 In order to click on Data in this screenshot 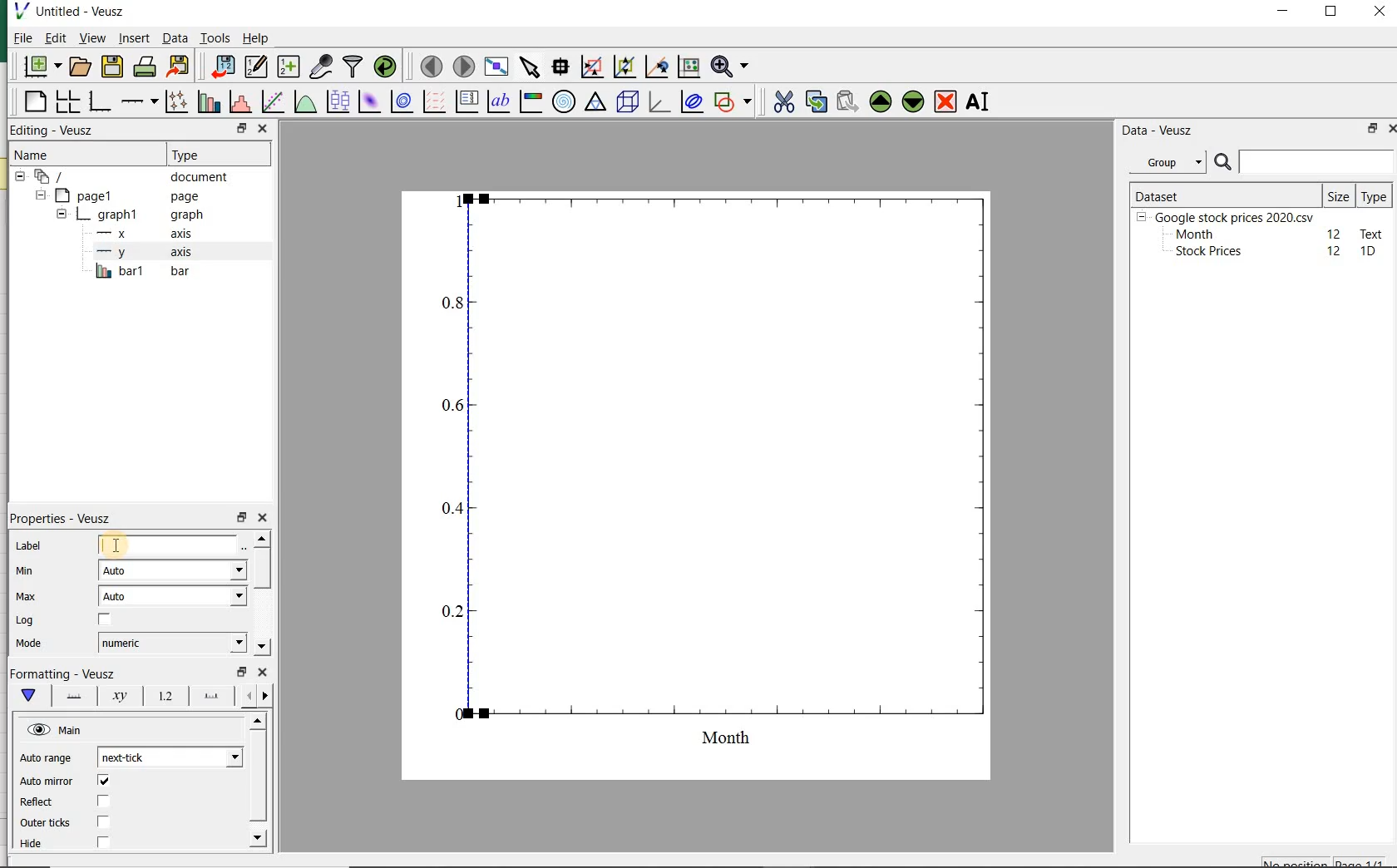, I will do `click(175, 40)`.